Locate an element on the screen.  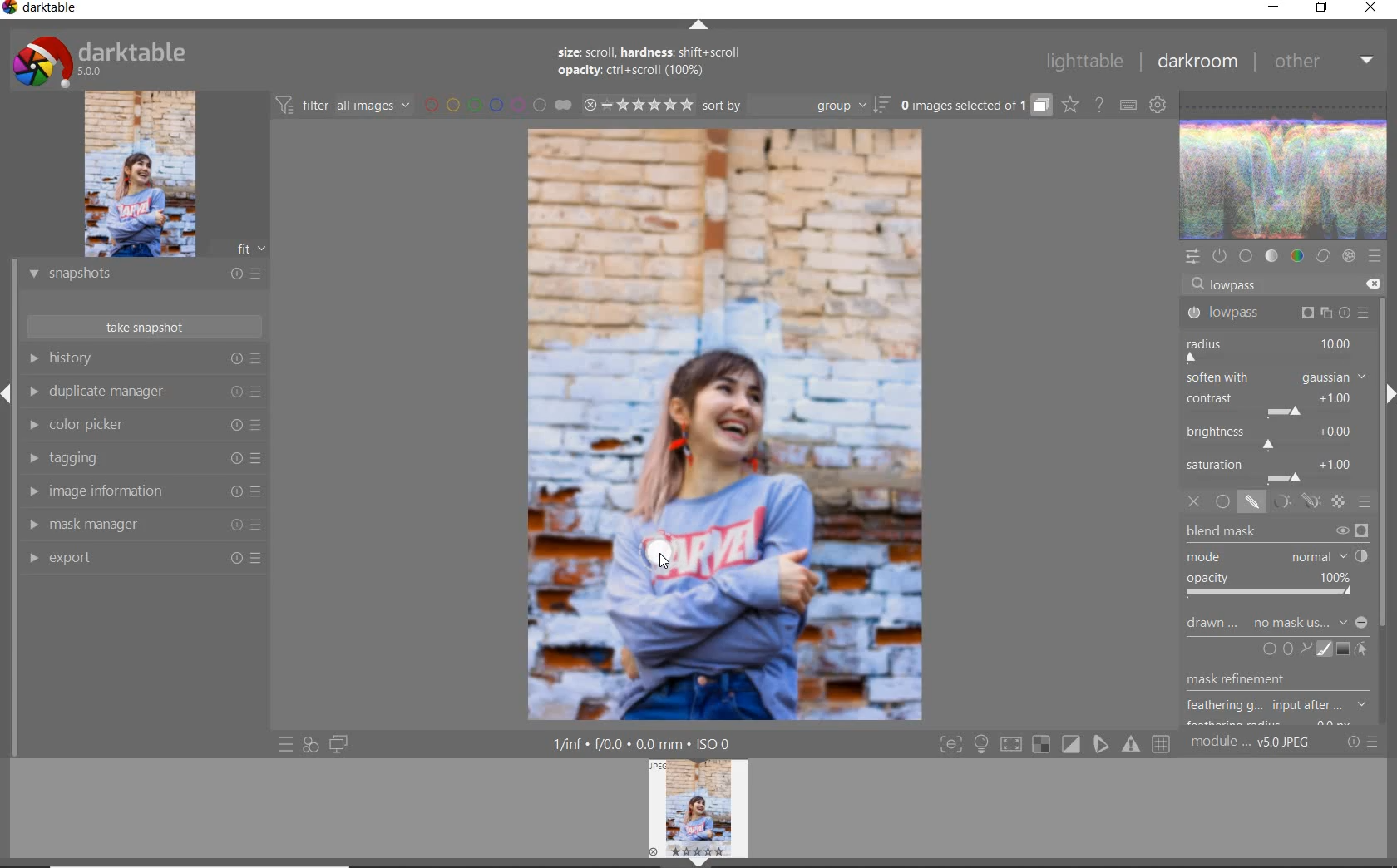
radius is located at coordinates (1271, 348).